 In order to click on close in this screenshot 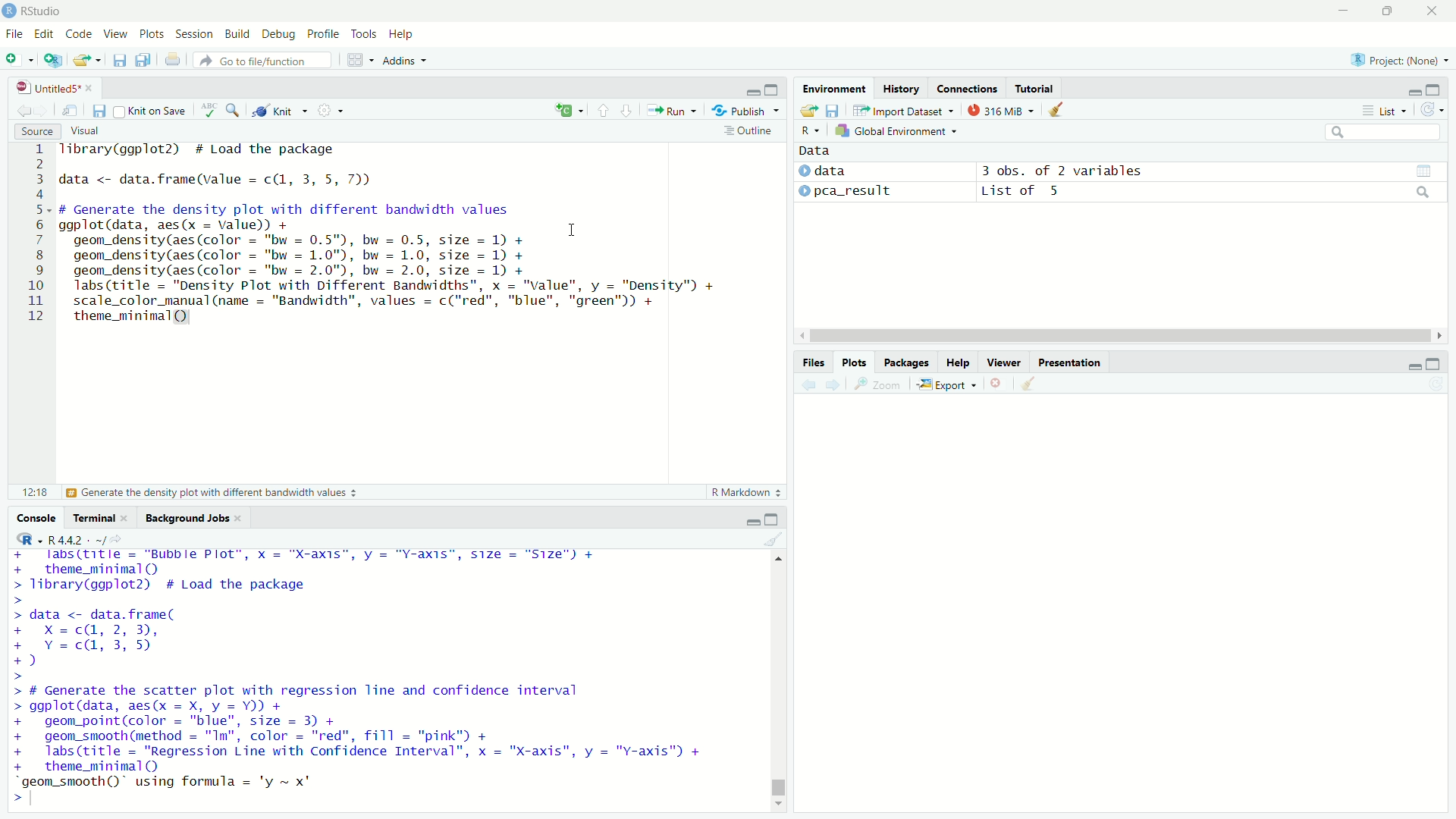, I will do `click(1432, 11)`.